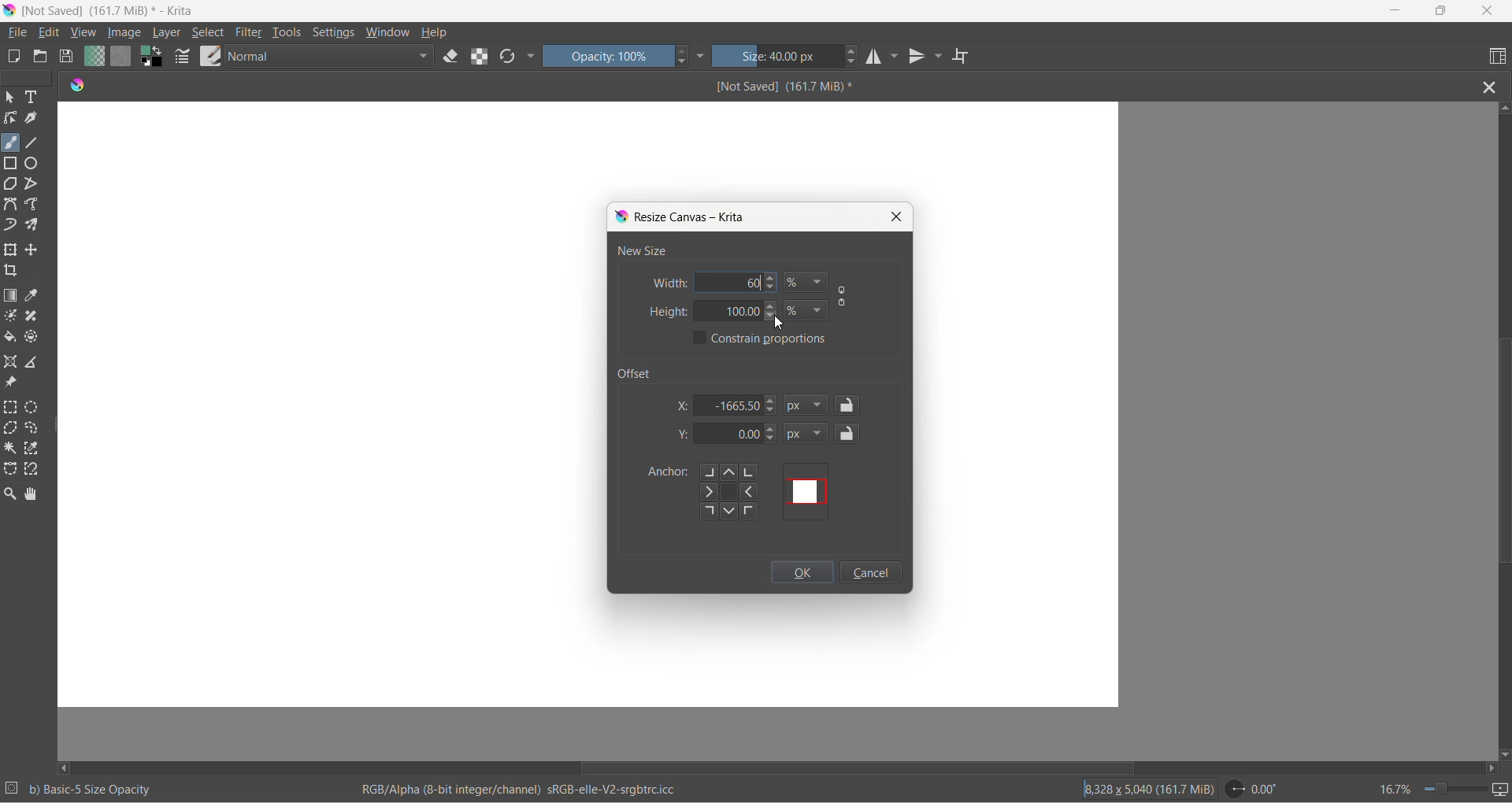  I want to click on y-axis value decrement, so click(772, 442).